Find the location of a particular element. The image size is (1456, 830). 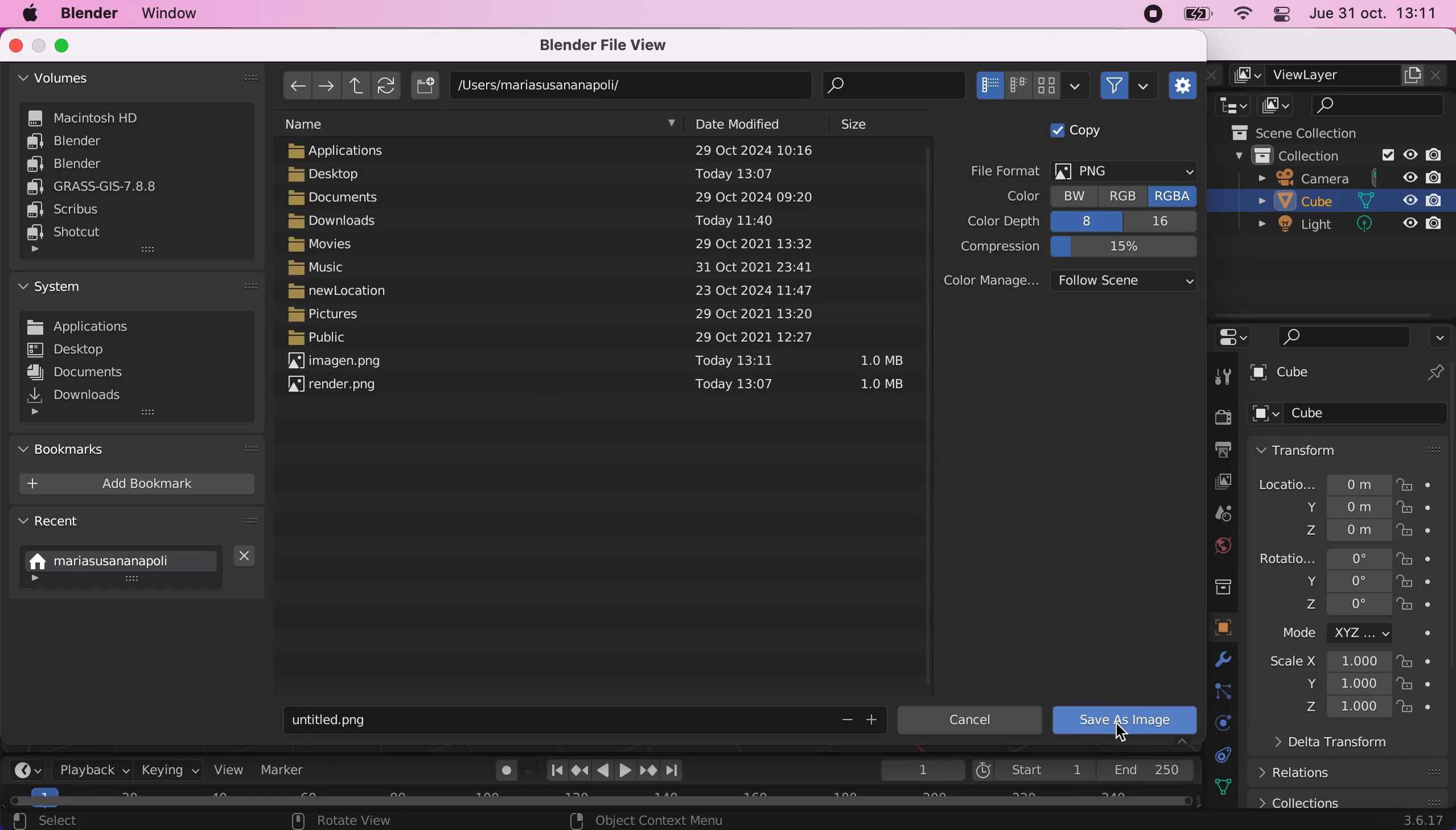

lock is located at coordinates (1419, 584).